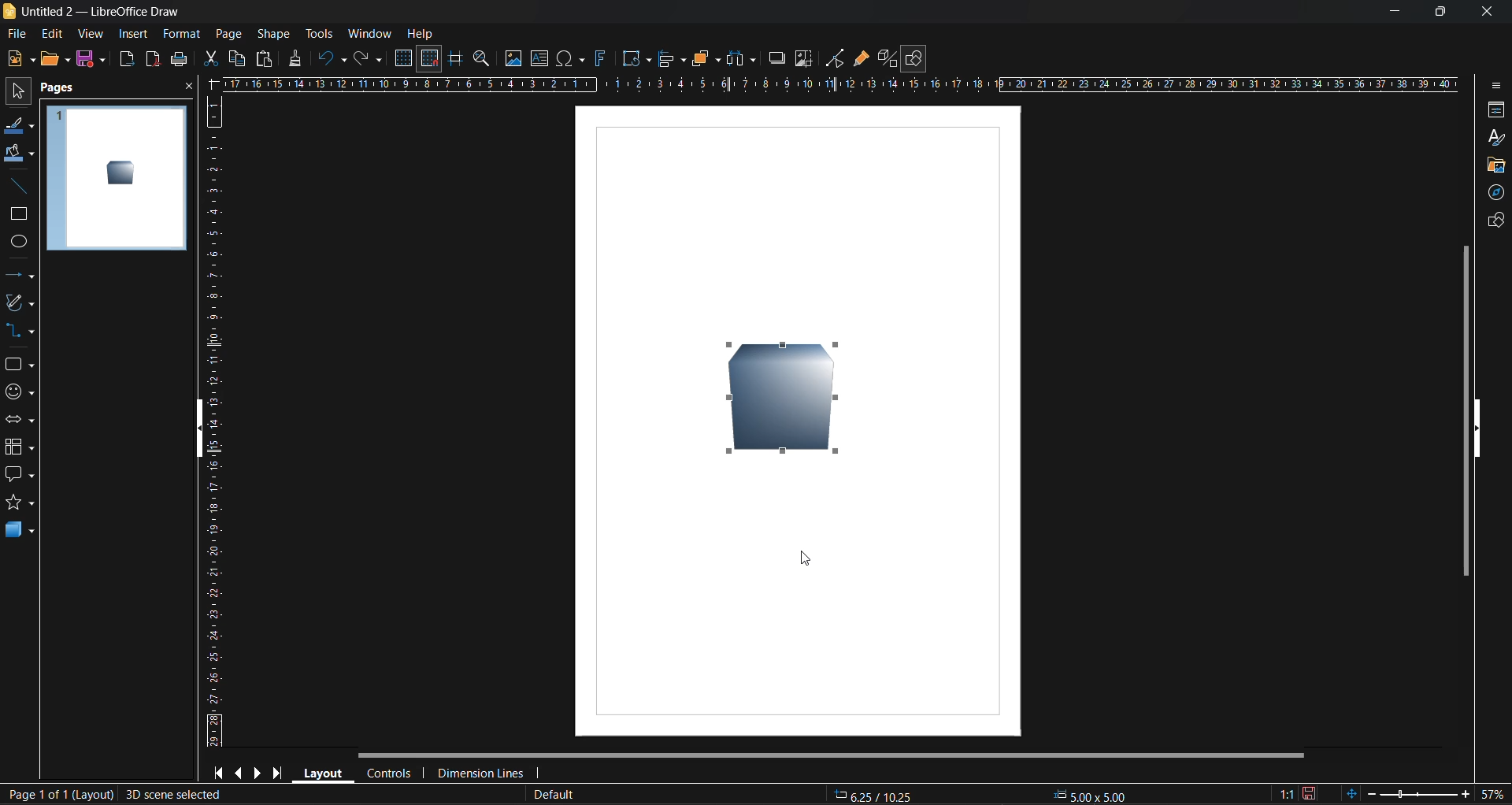 The image size is (1512, 805). Describe the element at coordinates (366, 61) in the screenshot. I see `redo` at that location.